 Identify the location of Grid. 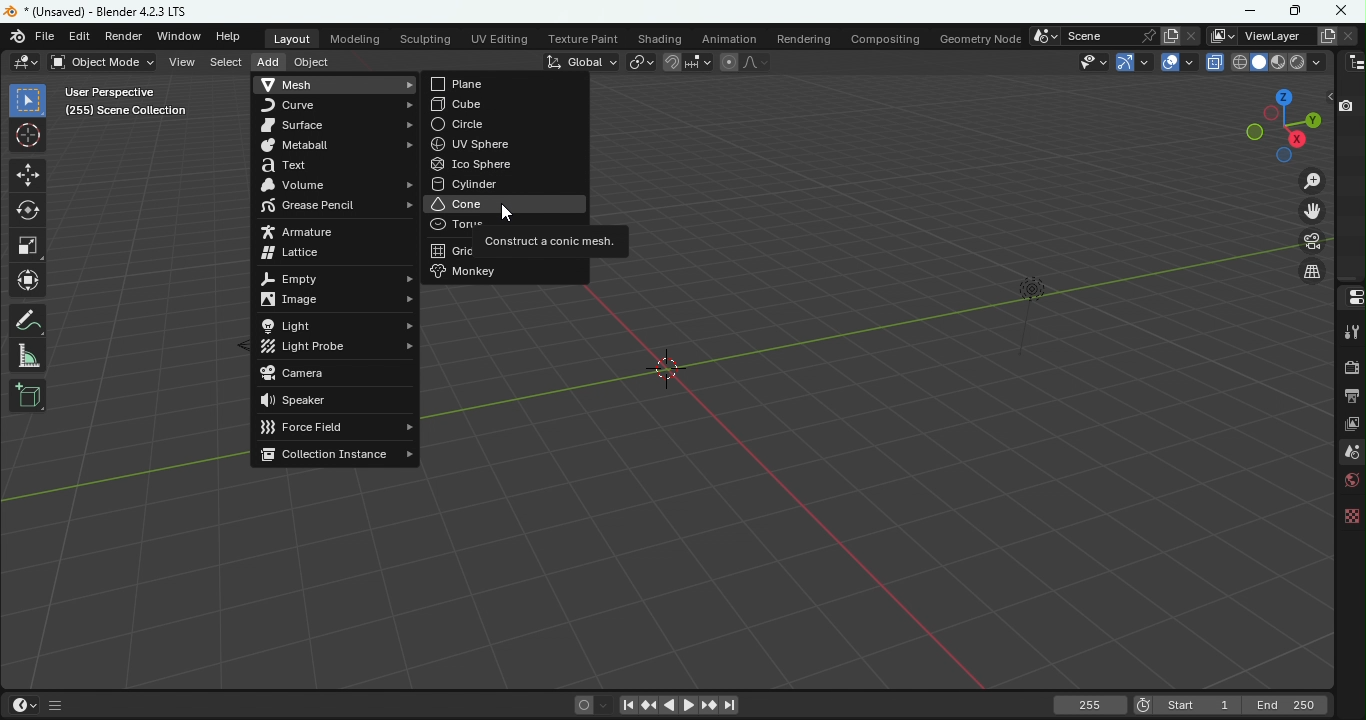
(456, 251).